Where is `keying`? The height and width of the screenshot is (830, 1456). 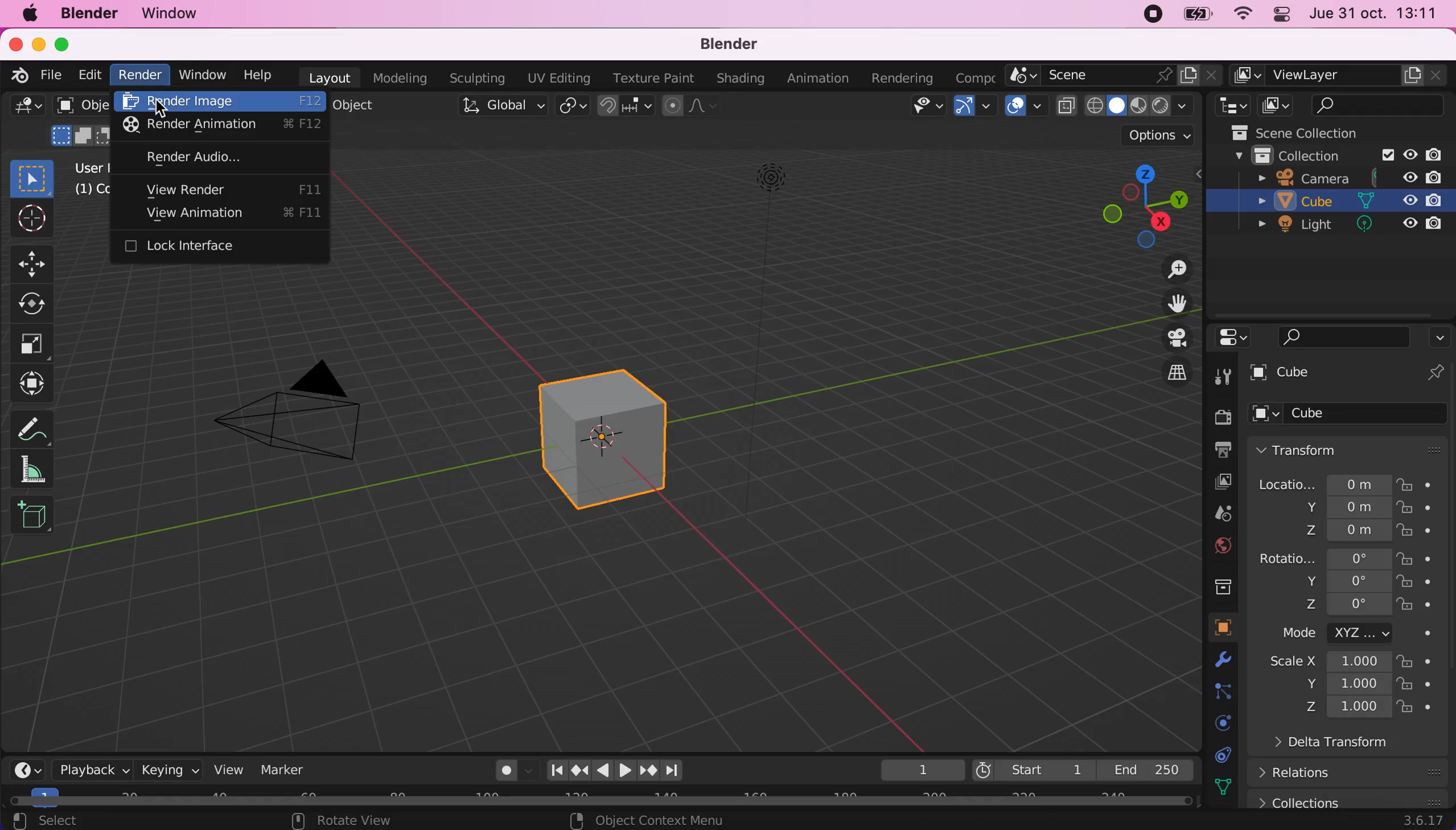 keying is located at coordinates (169, 771).